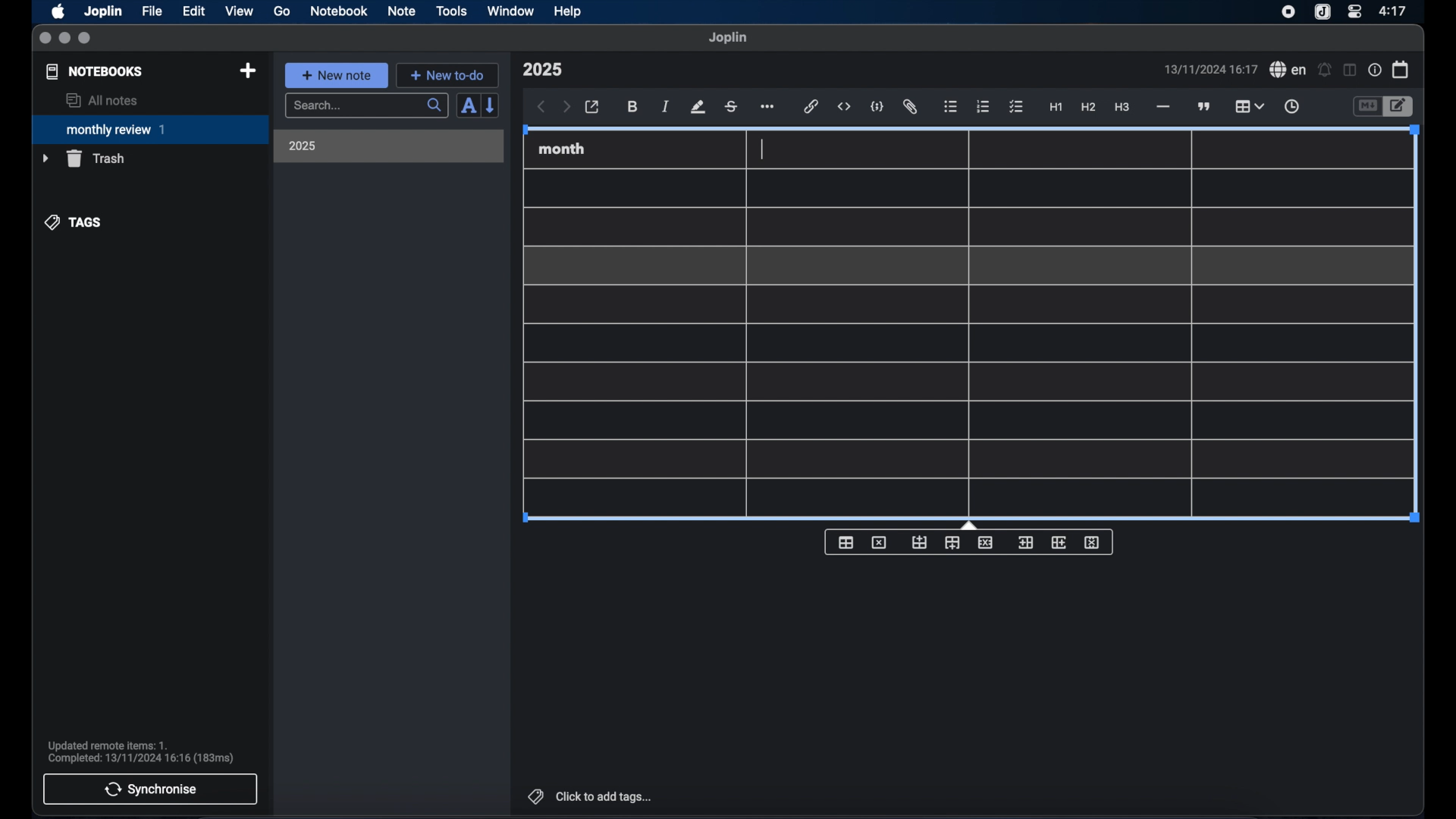  What do you see at coordinates (491, 105) in the screenshot?
I see `reverse sort order` at bounding box center [491, 105].